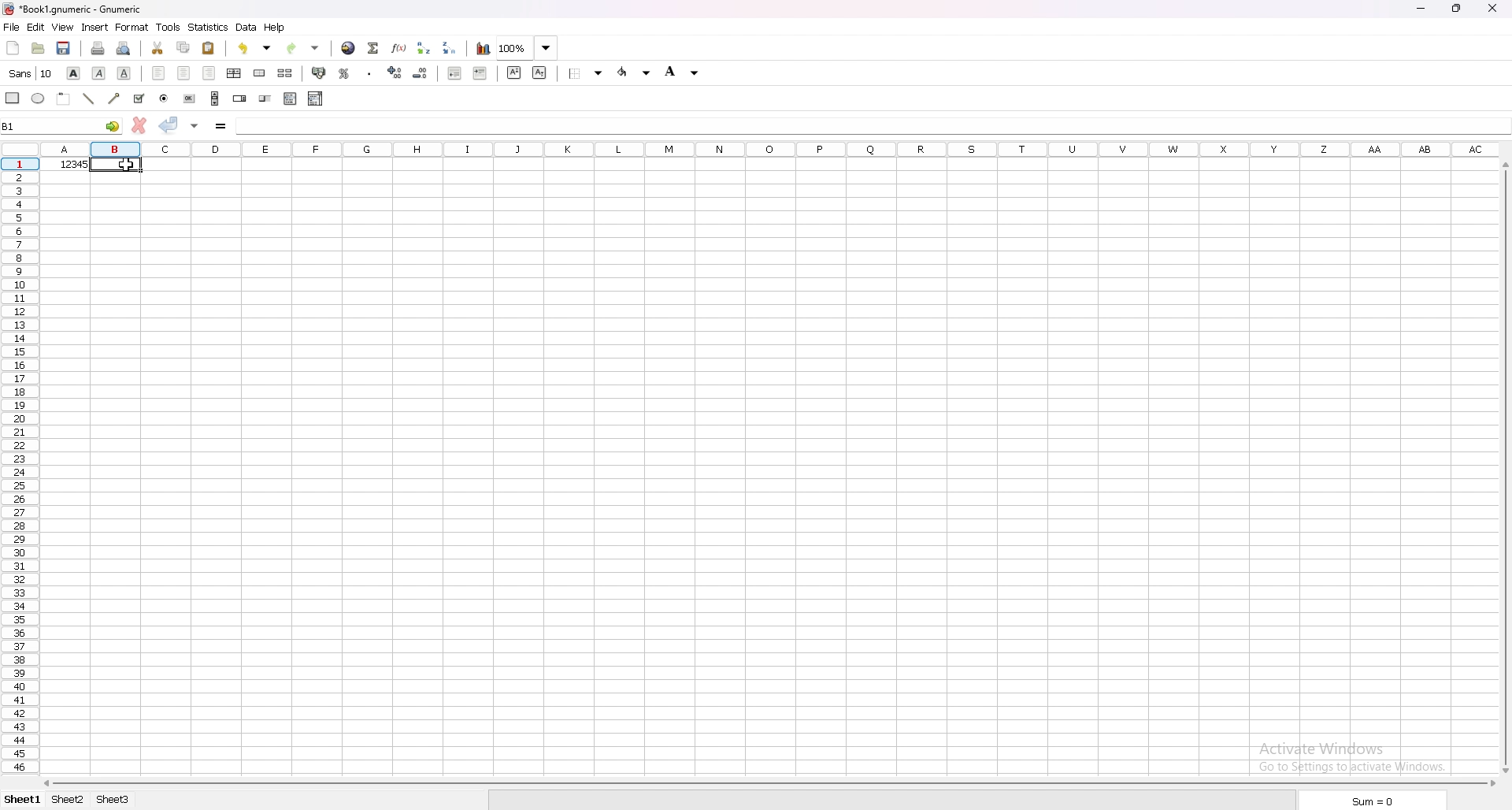 Image resolution: width=1512 pixels, height=810 pixels. Describe the element at coordinates (303, 48) in the screenshot. I see `redo` at that location.